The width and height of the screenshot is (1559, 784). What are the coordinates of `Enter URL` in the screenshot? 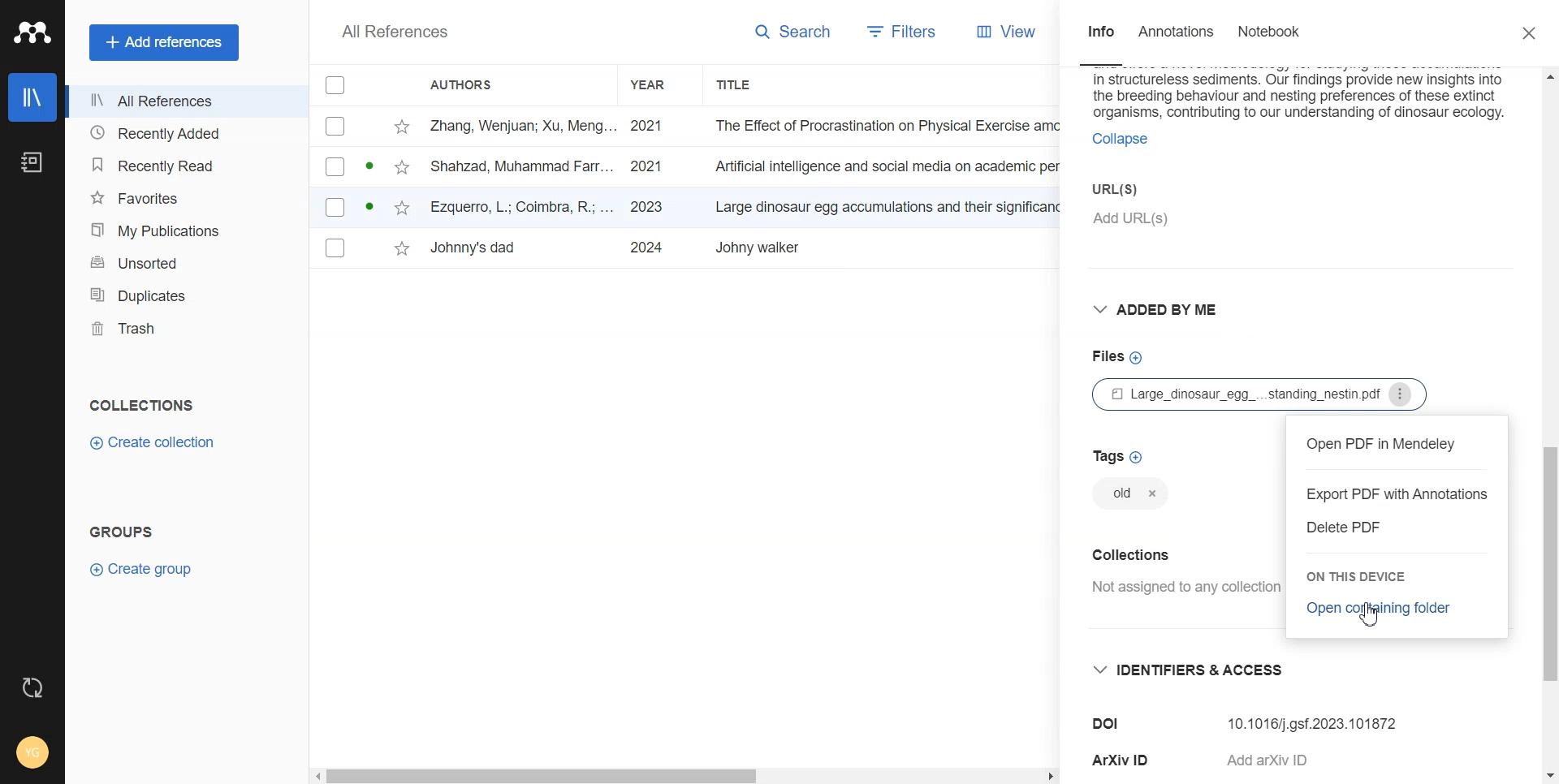 It's located at (1228, 204).